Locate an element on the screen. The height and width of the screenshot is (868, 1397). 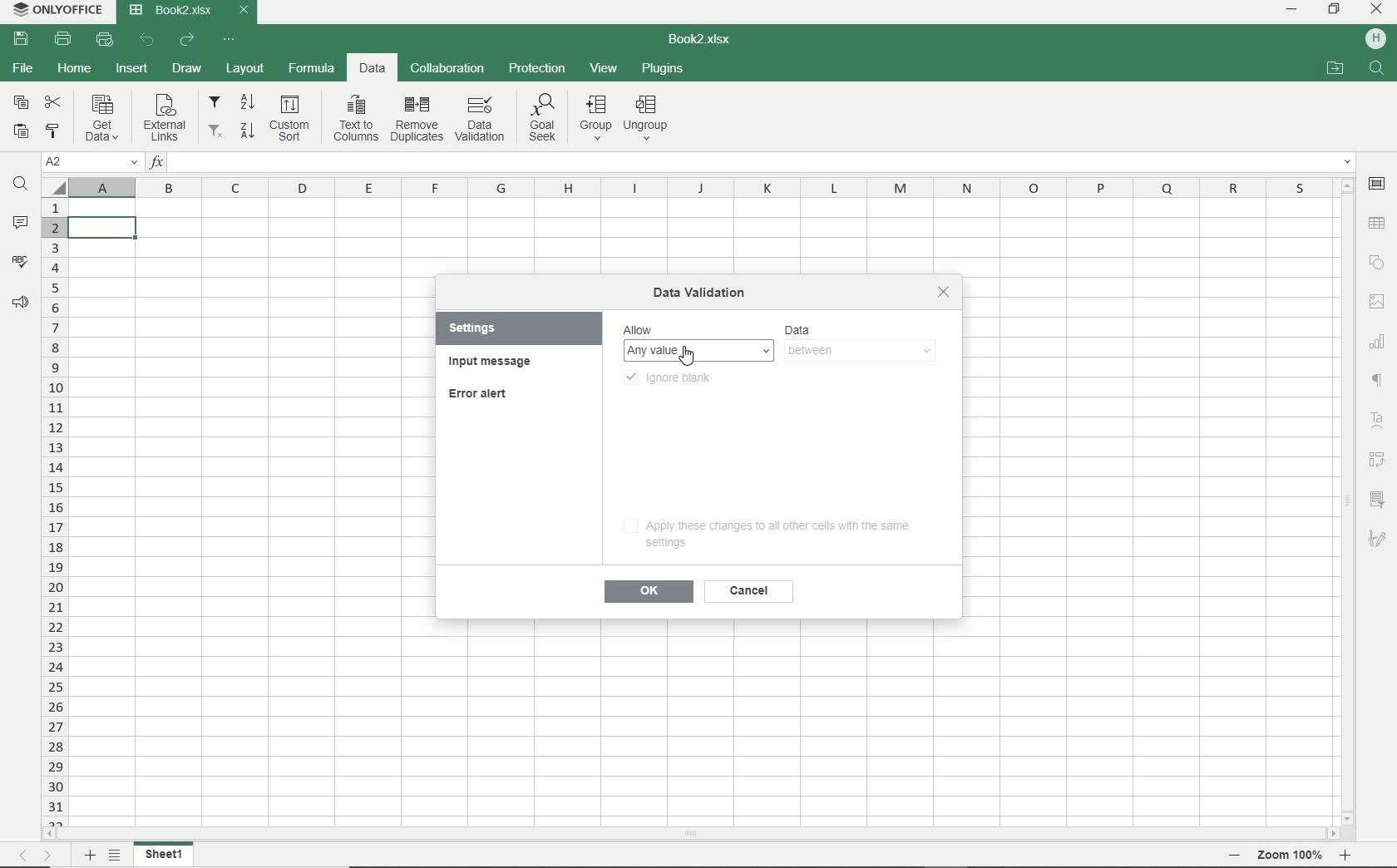
close is located at coordinates (943, 292).